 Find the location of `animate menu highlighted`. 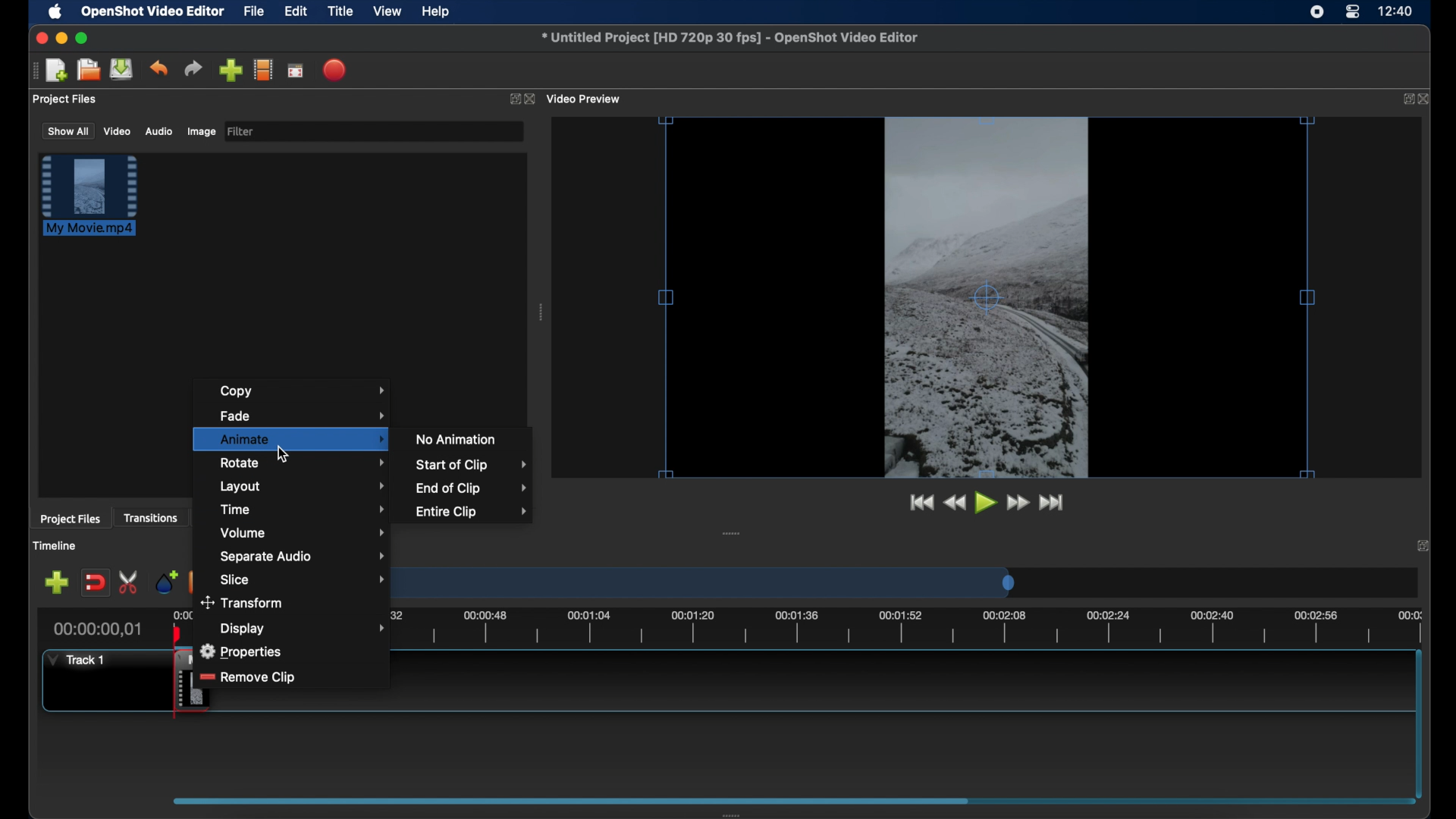

animate menu highlighted is located at coordinates (290, 438).